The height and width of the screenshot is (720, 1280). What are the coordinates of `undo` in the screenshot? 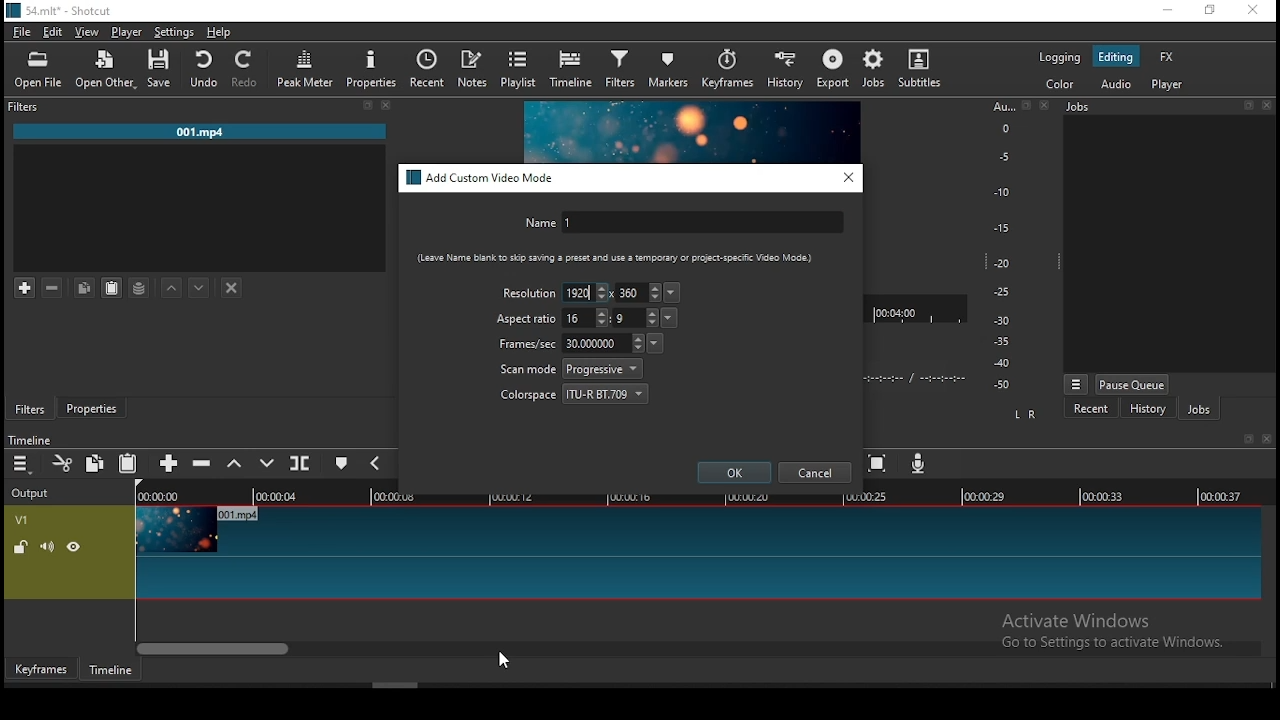 It's located at (205, 69).